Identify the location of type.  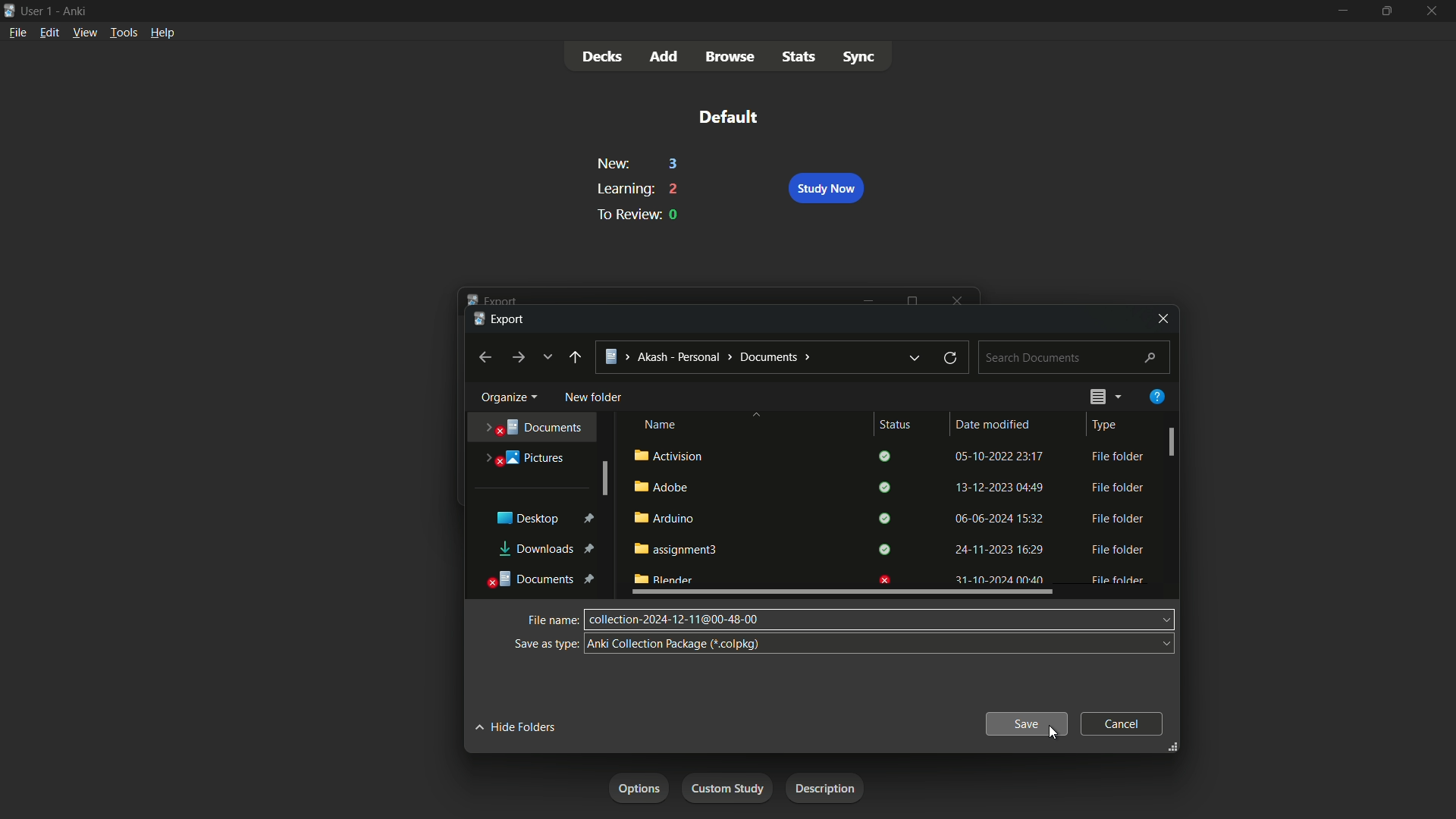
(1106, 425).